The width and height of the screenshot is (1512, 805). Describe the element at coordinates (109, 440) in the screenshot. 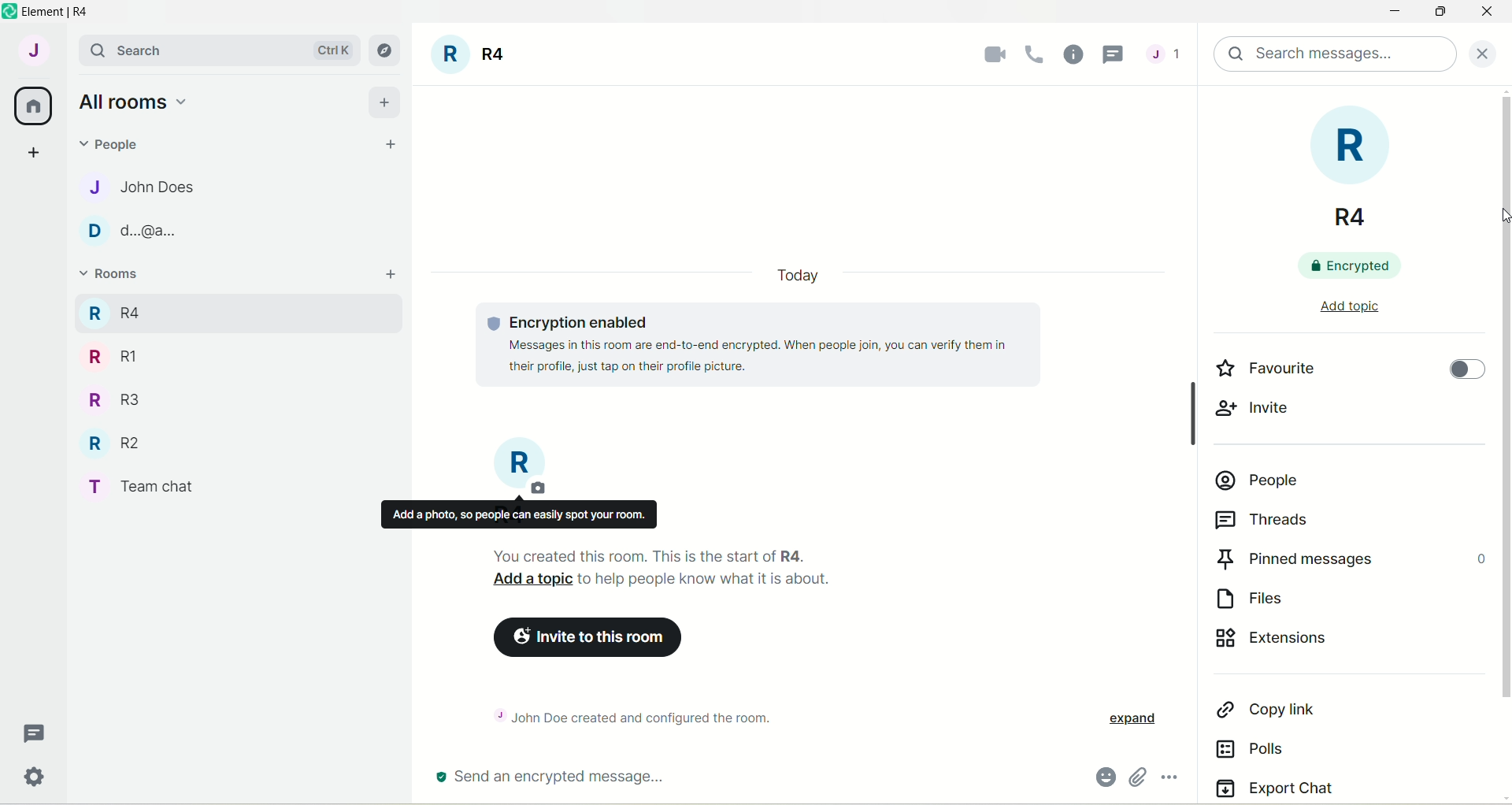

I see `R R2` at that location.